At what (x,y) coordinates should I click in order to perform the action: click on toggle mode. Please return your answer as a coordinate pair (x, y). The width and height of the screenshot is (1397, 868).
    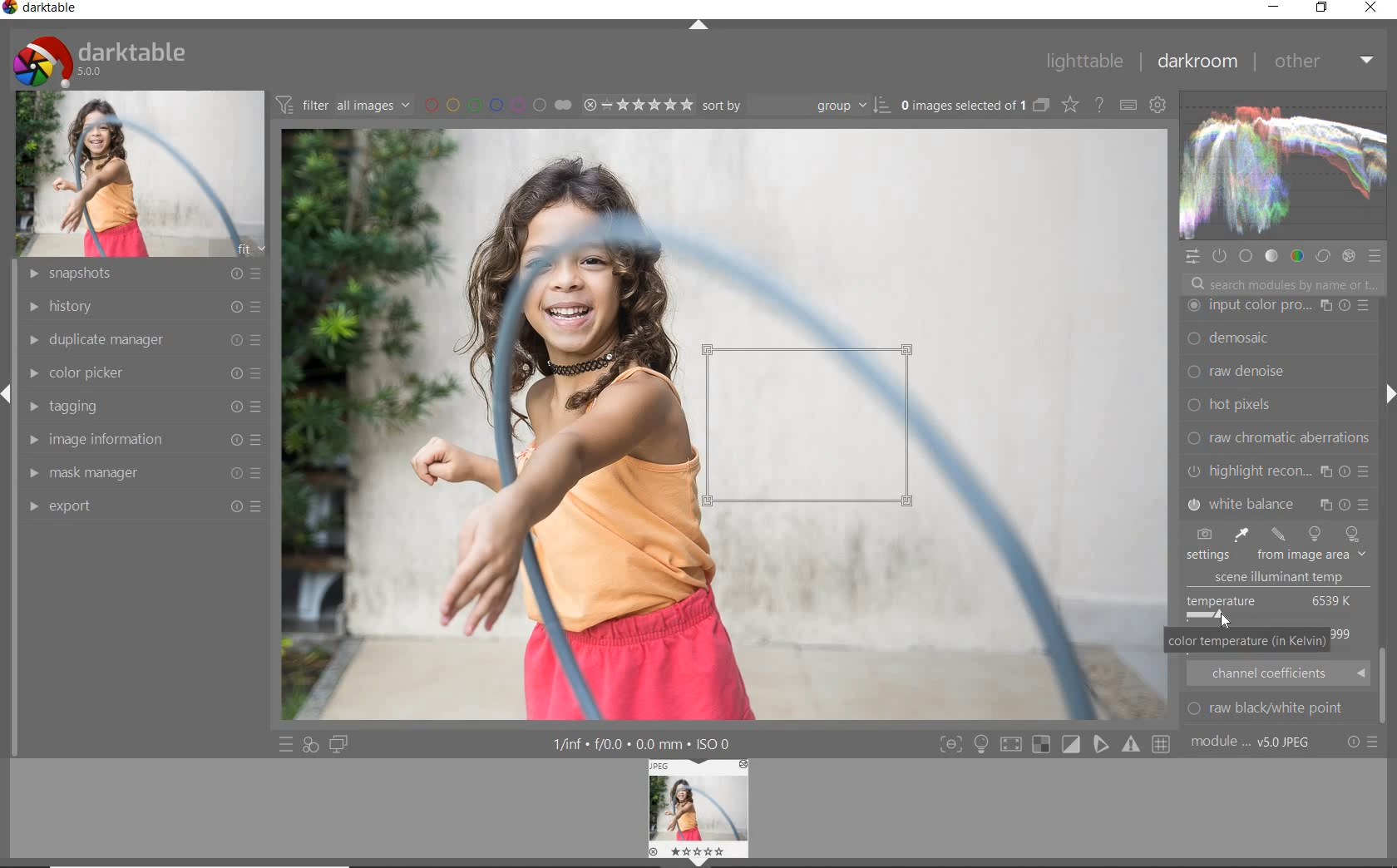
    Looking at the image, I should click on (950, 744).